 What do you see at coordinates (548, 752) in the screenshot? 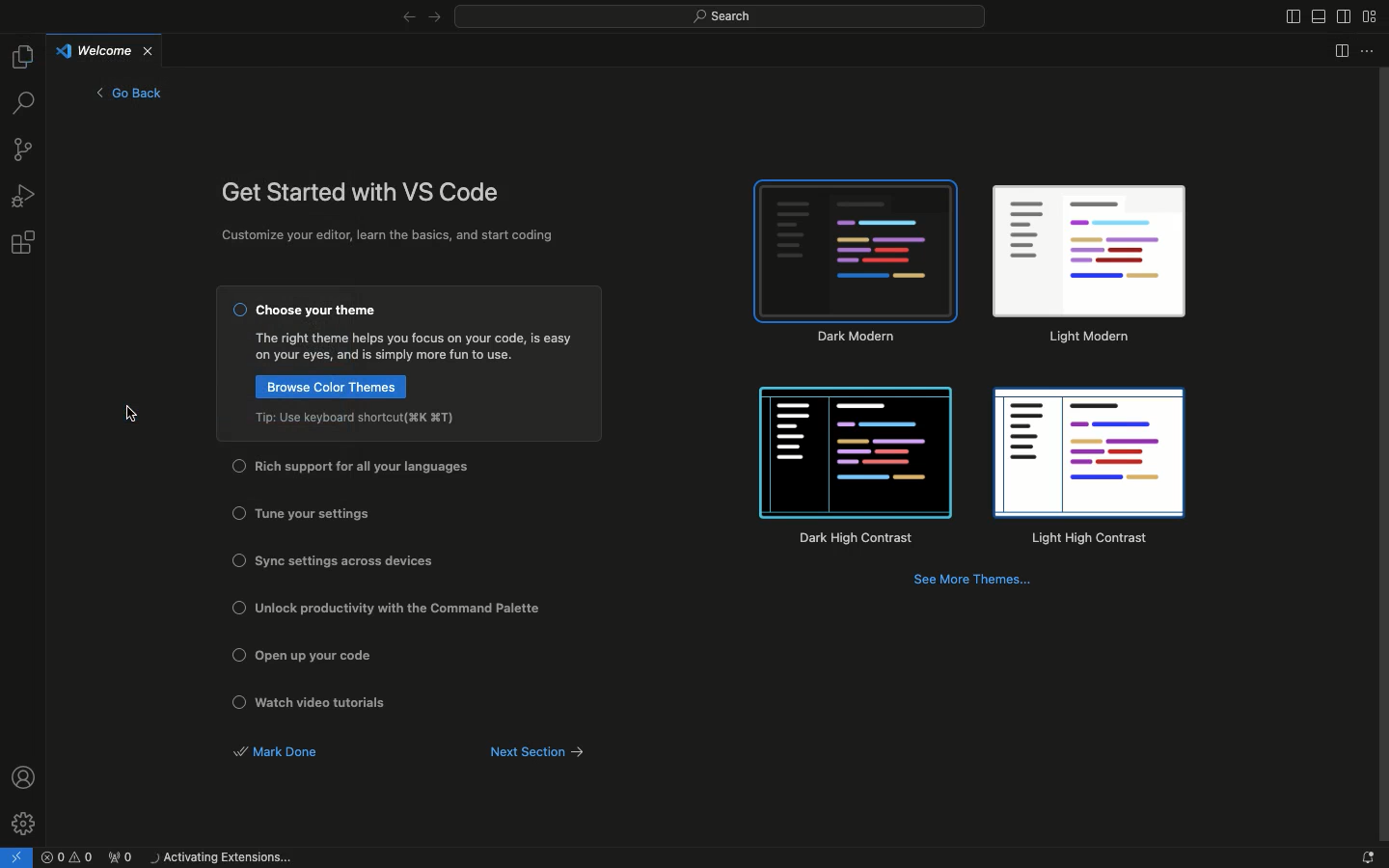
I see `Next section` at bounding box center [548, 752].